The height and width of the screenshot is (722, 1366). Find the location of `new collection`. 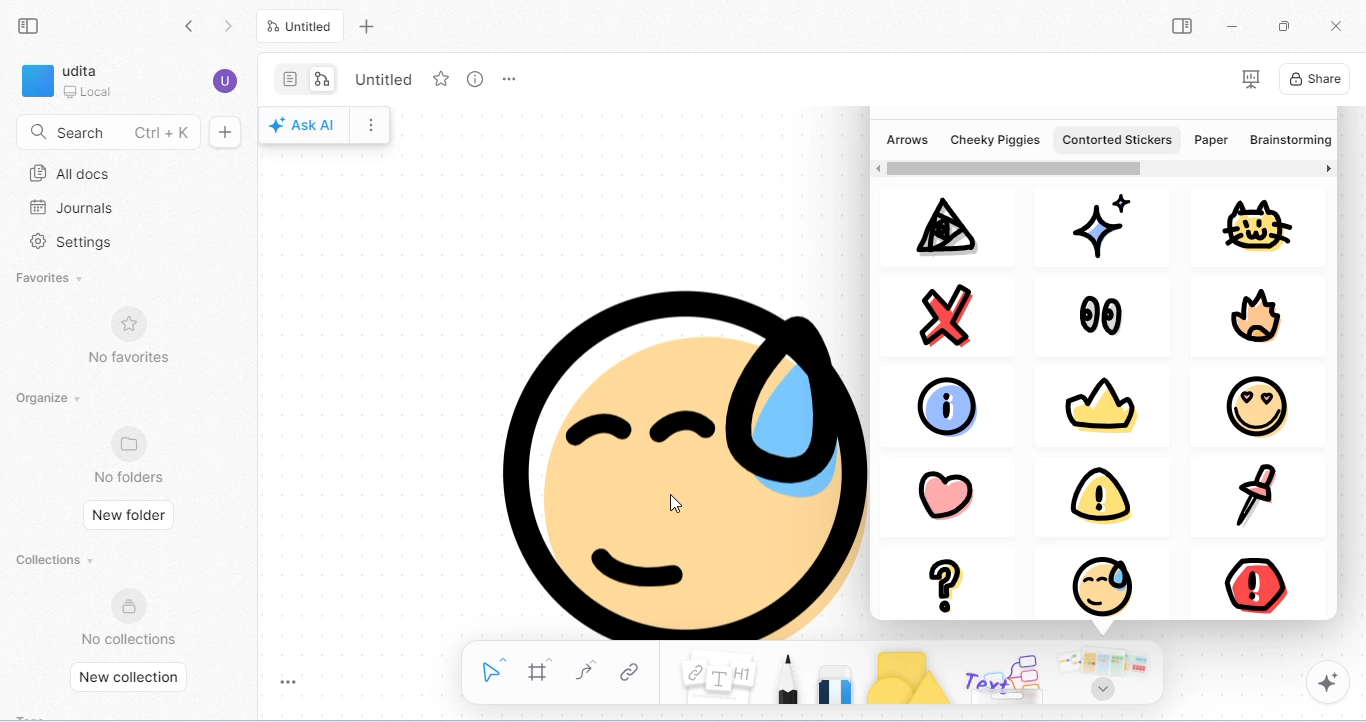

new collection is located at coordinates (135, 678).